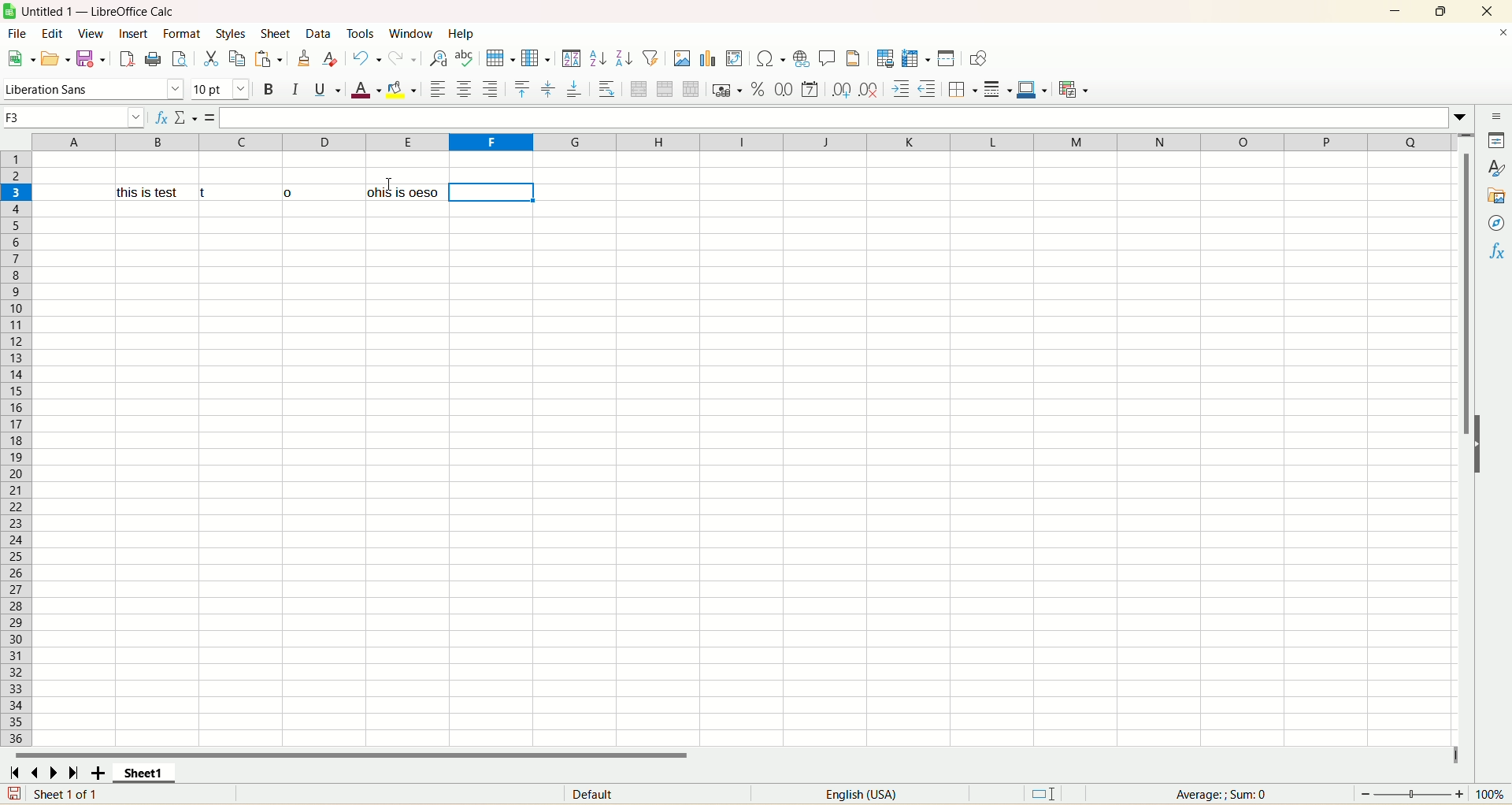  Describe the element at coordinates (1433, 794) in the screenshot. I see `zoom factor` at that location.